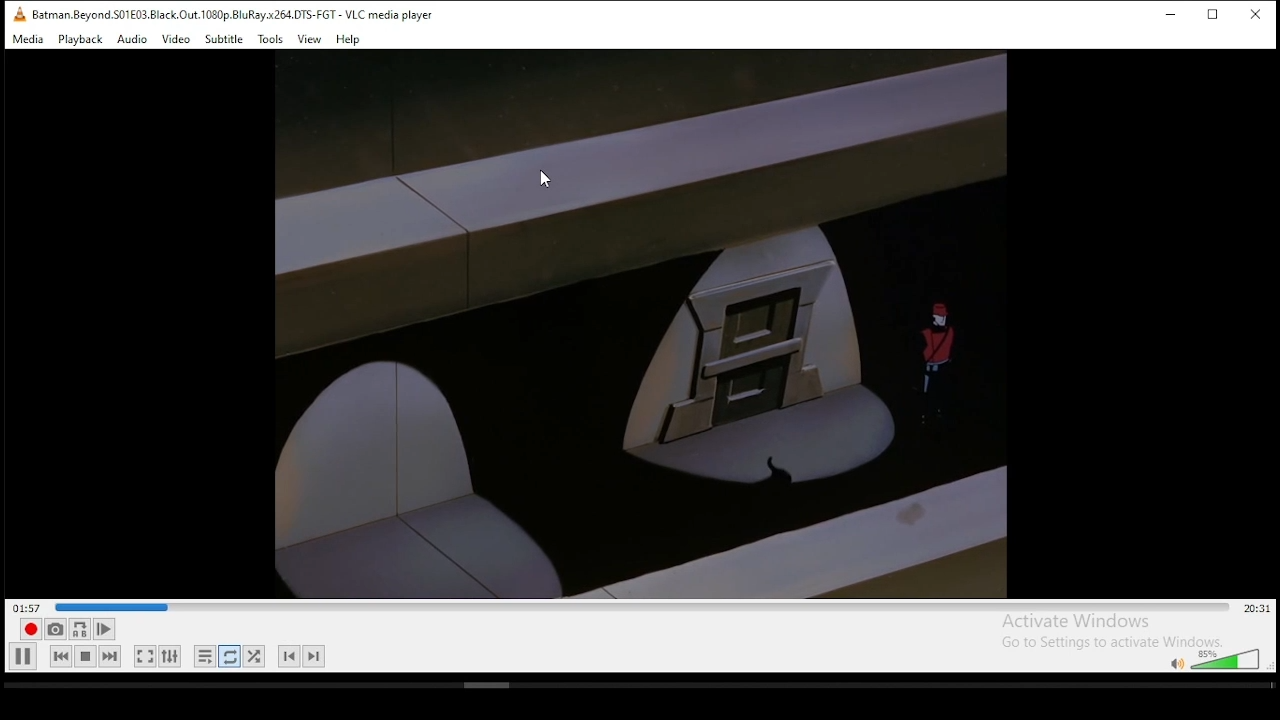 This screenshot has width=1280, height=720. I want to click on record, so click(31, 629).